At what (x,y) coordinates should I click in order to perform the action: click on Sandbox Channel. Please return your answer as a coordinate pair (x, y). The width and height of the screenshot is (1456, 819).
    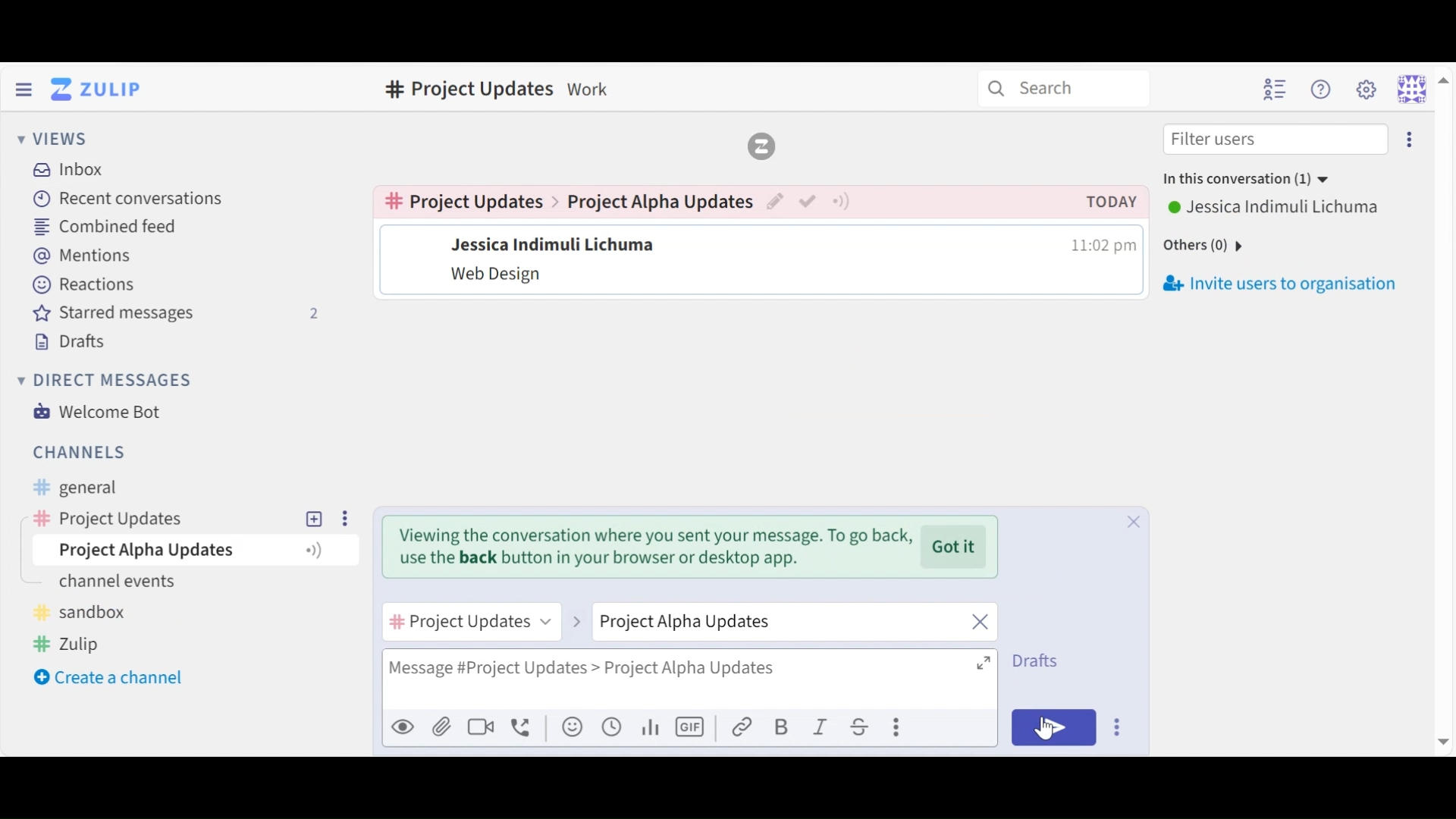
    Looking at the image, I should click on (80, 609).